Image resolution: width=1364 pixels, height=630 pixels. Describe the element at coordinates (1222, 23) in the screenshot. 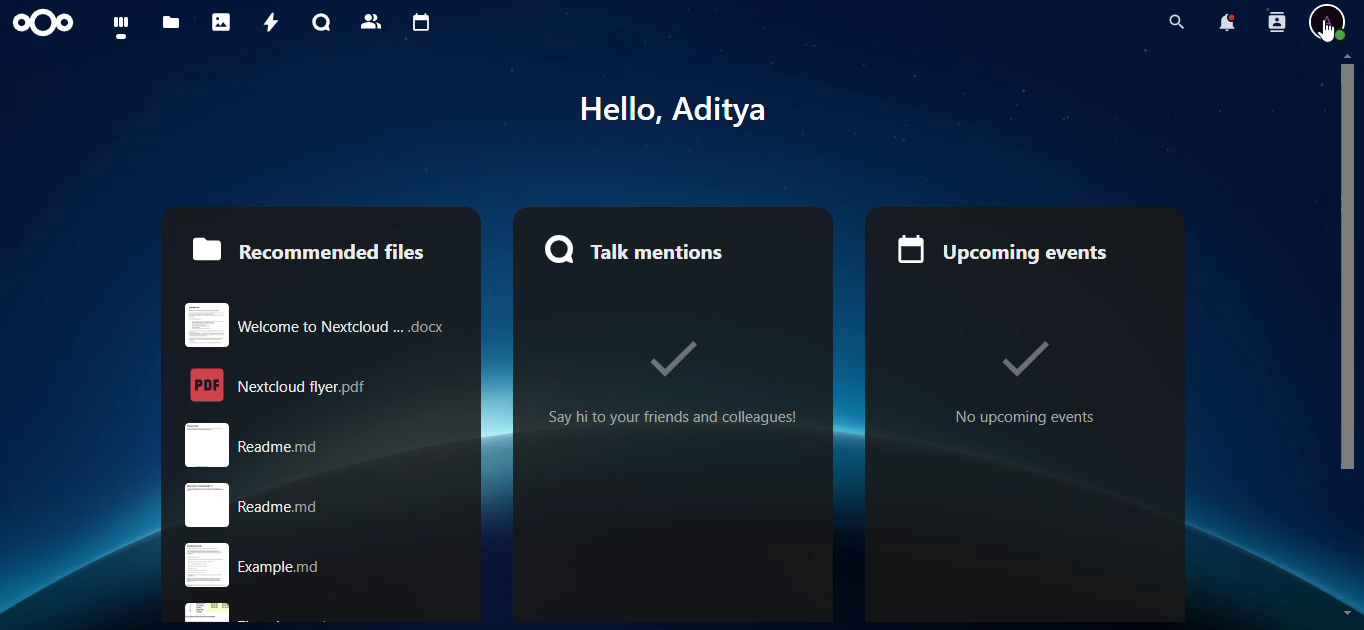

I see `notifications` at that location.